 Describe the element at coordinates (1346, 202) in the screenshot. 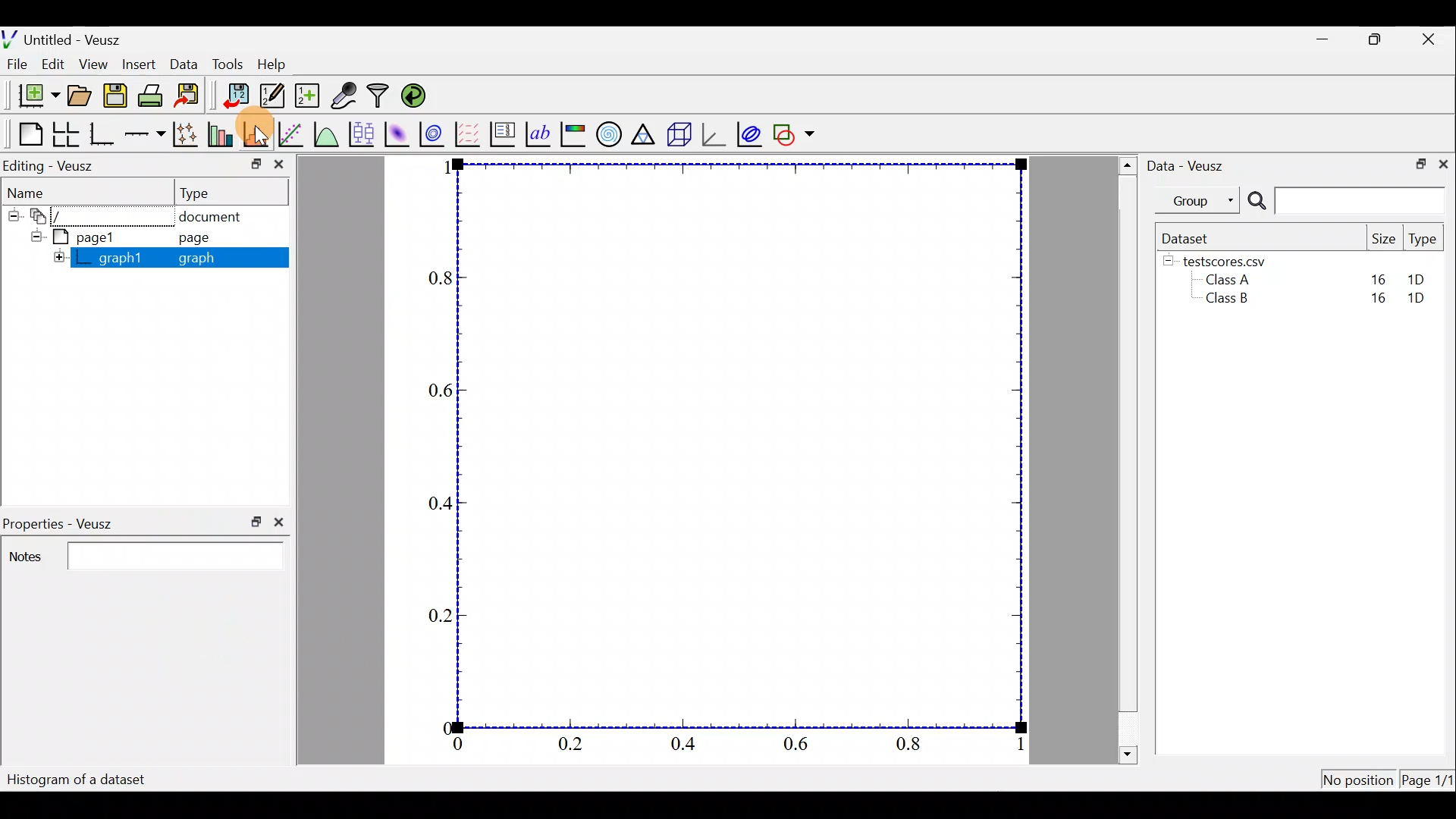

I see `Search bar` at that location.